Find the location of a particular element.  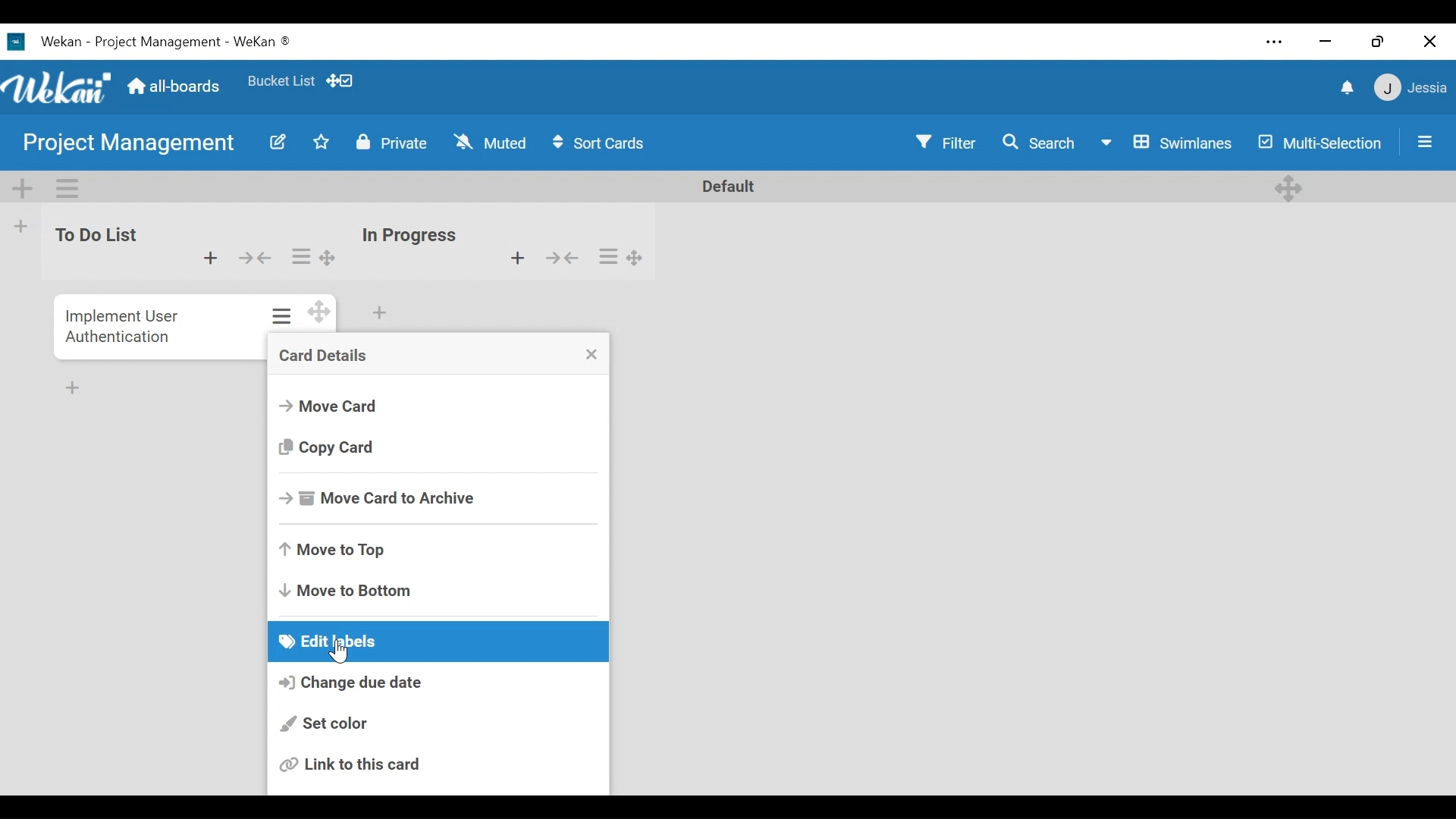

edit is located at coordinates (276, 145).